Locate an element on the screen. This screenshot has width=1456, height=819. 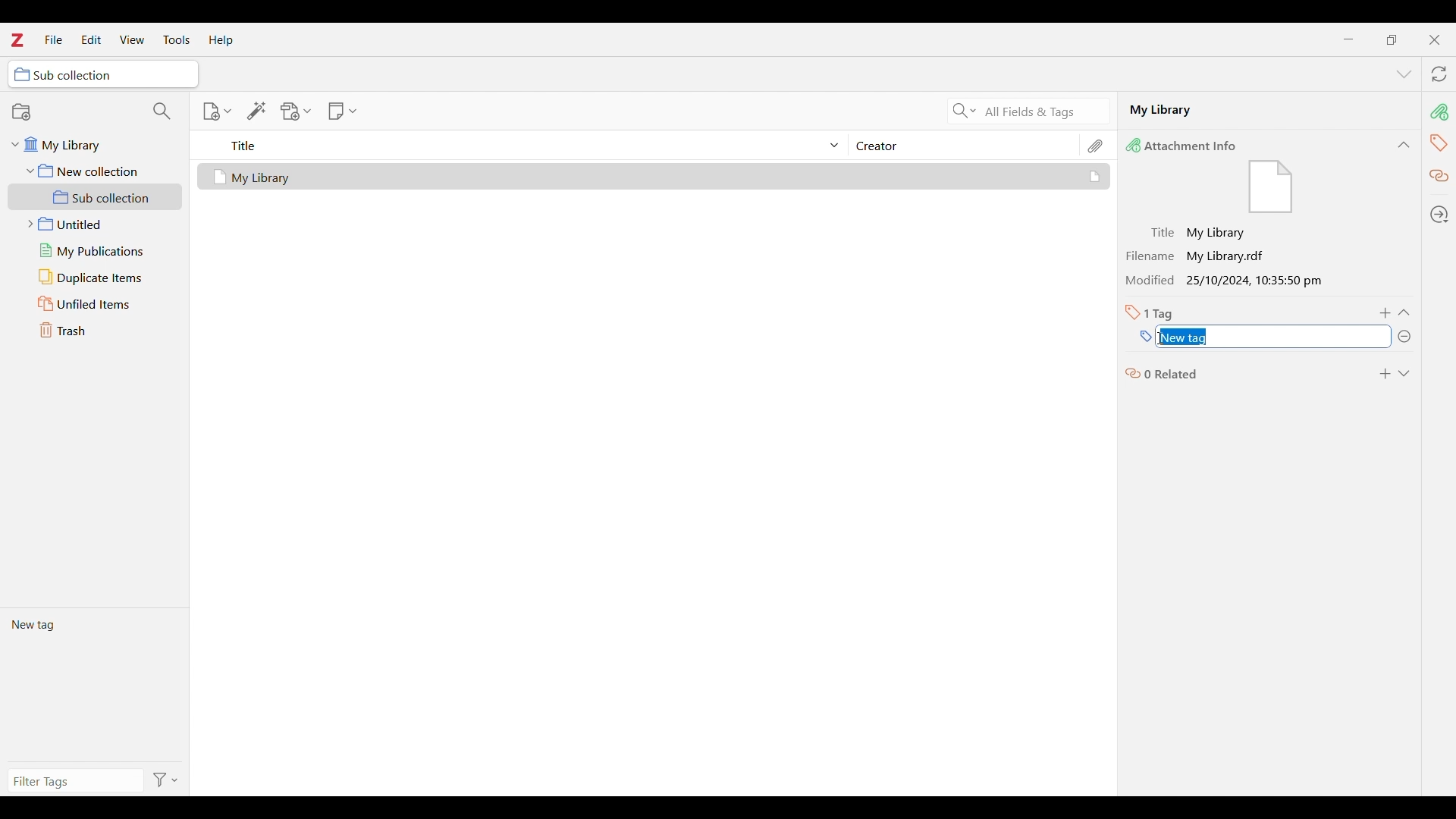
Selected file and its details is located at coordinates (654, 177).